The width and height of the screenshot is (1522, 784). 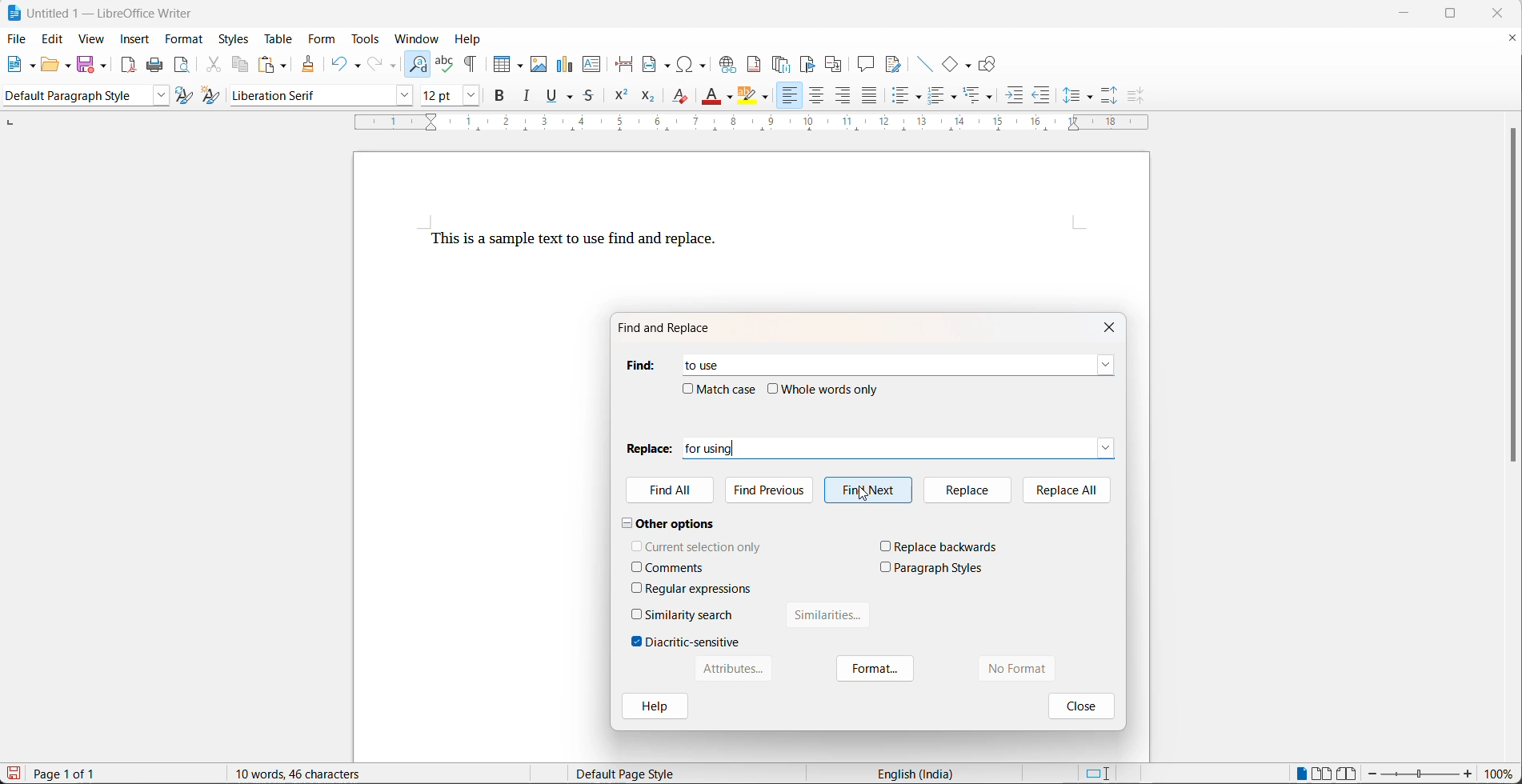 I want to click on insert table, so click(x=508, y=59).